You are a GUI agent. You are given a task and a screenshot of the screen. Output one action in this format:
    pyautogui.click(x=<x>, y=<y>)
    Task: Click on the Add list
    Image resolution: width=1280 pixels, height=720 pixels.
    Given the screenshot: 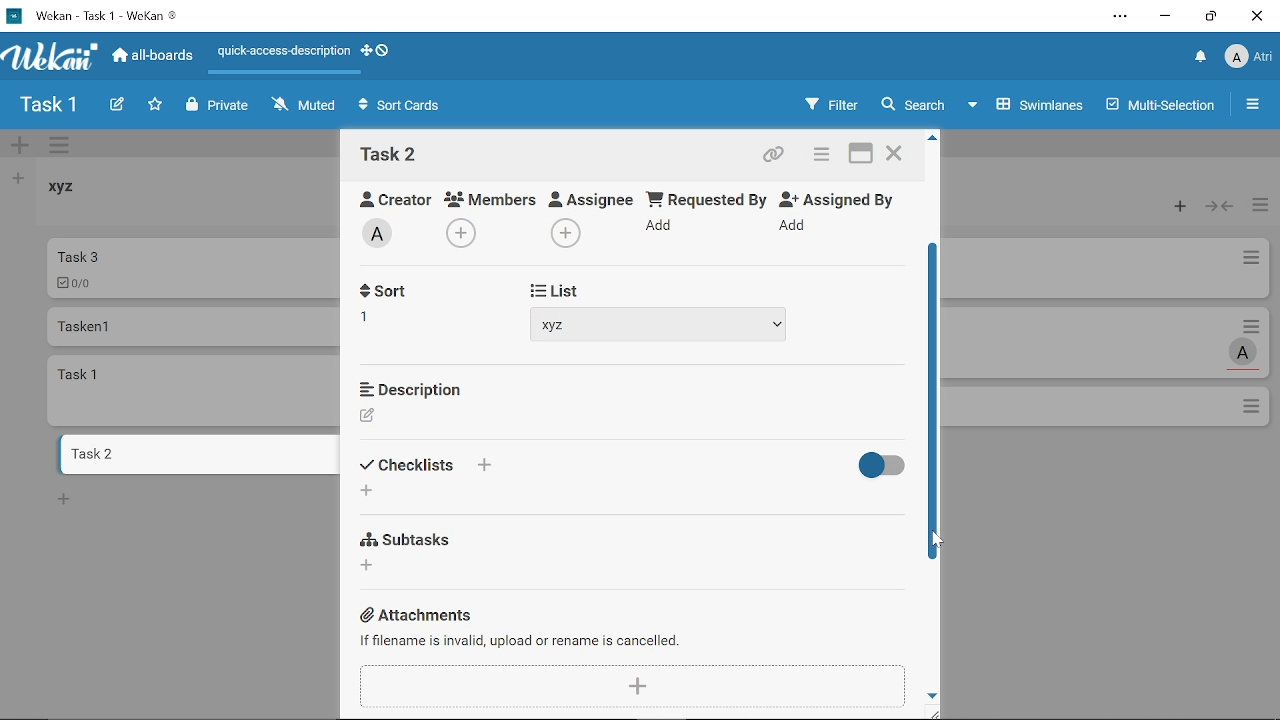 What is the action you would take?
    pyautogui.click(x=16, y=178)
    